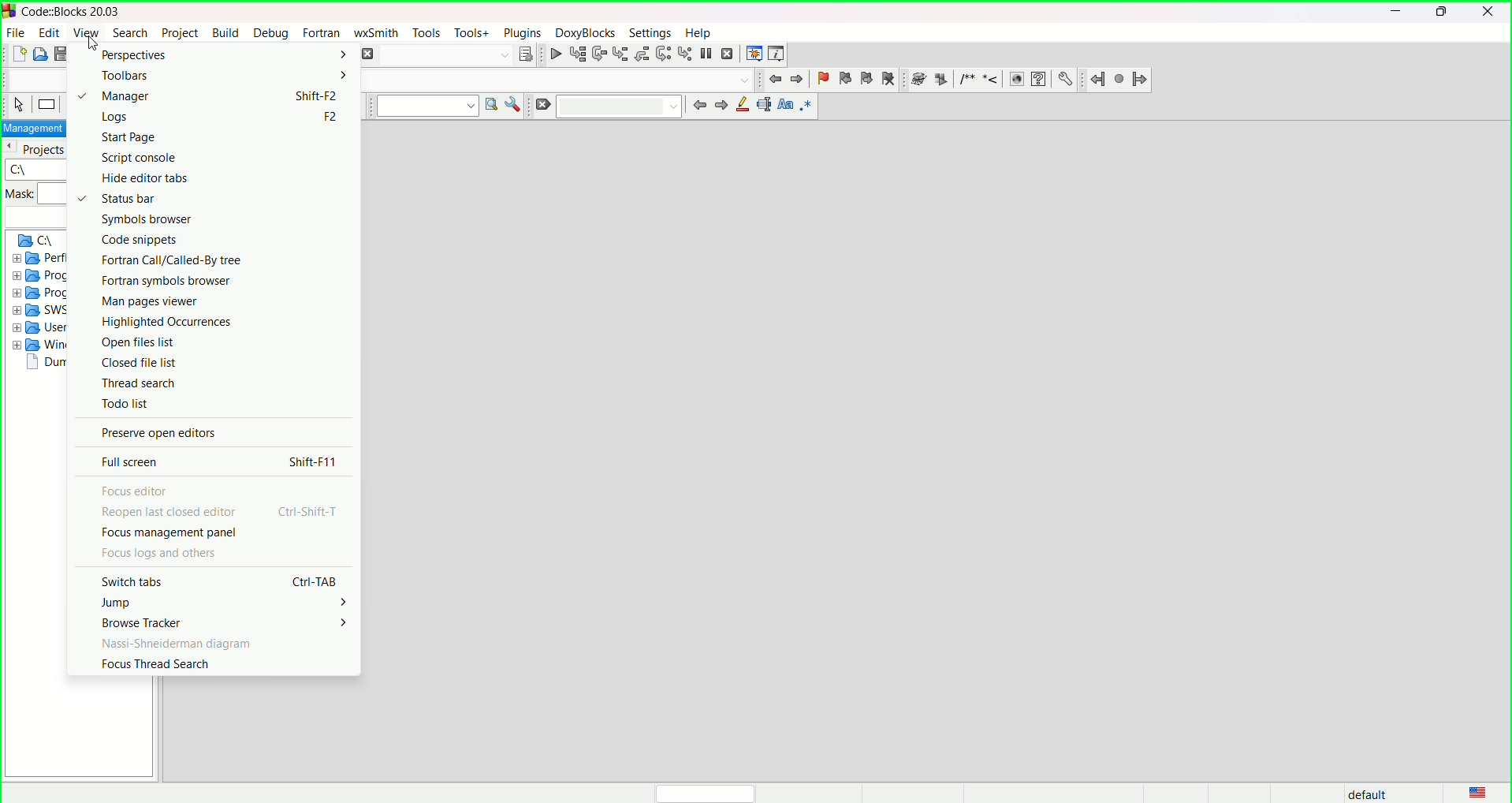 The width and height of the screenshot is (1512, 803). What do you see at coordinates (730, 54) in the screenshot?
I see `stop debugger` at bounding box center [730, 54].